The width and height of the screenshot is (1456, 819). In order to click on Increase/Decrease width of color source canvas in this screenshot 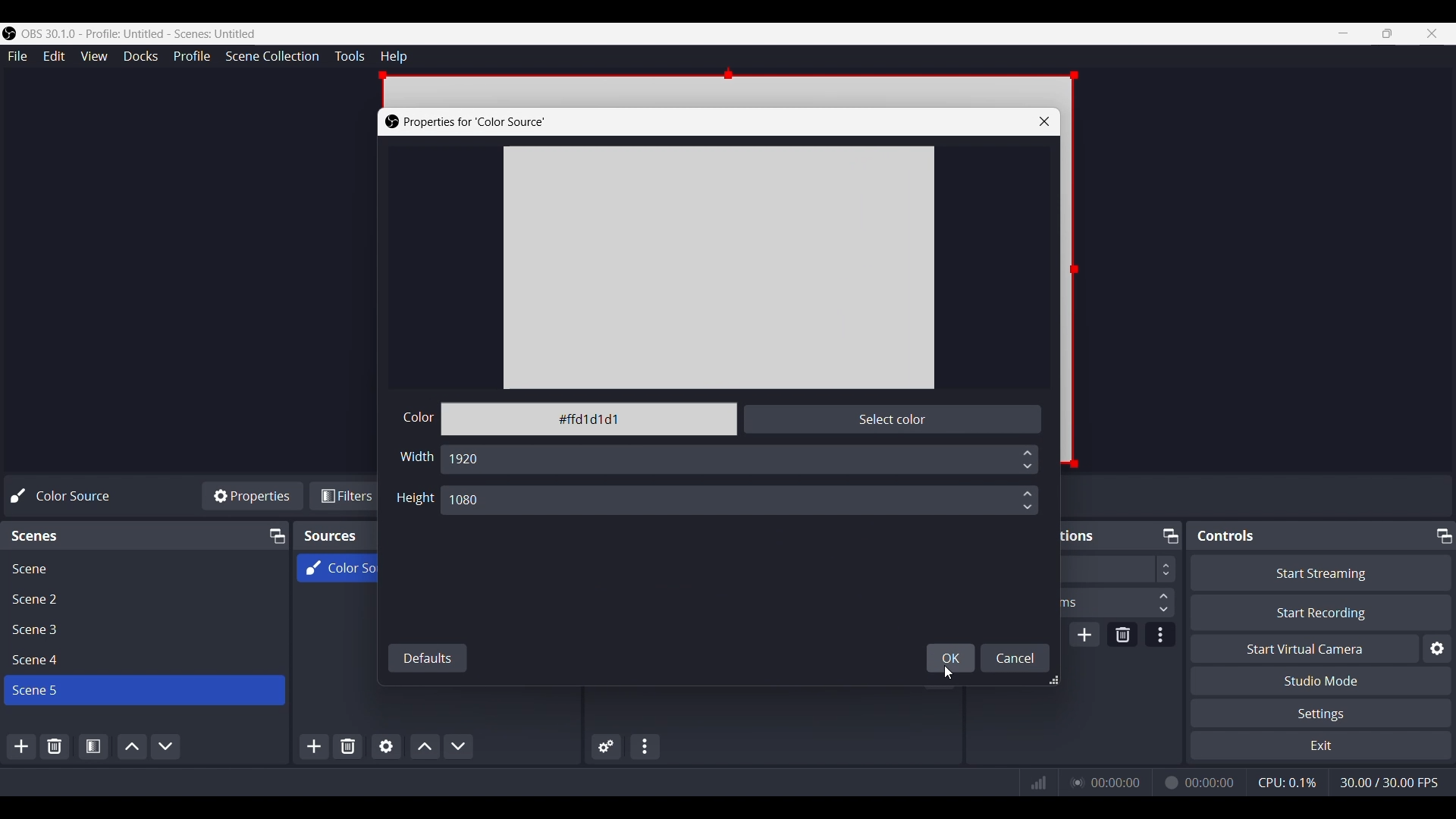, I will do `click(1027, 500)`.